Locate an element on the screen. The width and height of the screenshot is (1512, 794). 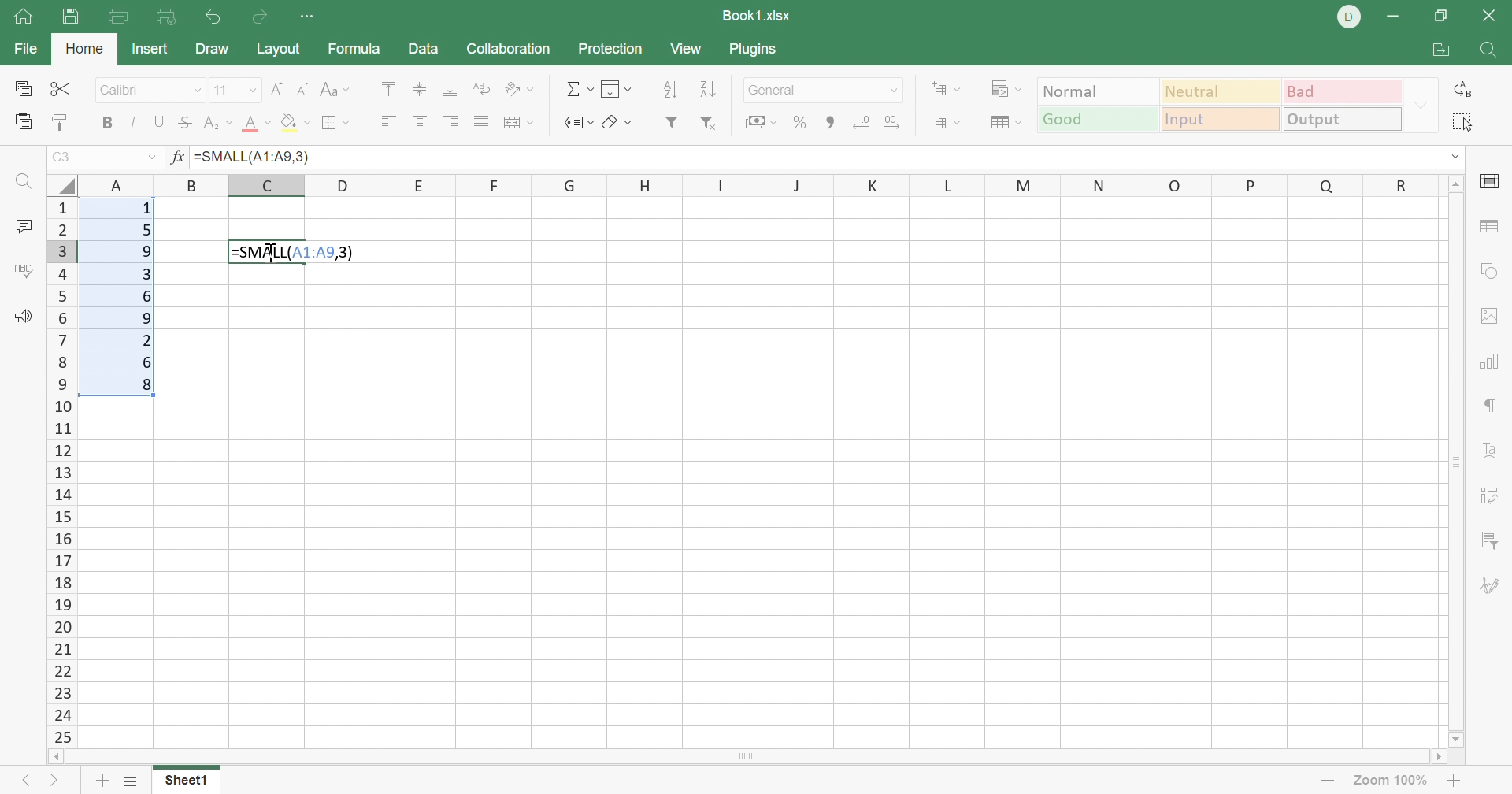
Select all is located at coordinates (1462, 123).